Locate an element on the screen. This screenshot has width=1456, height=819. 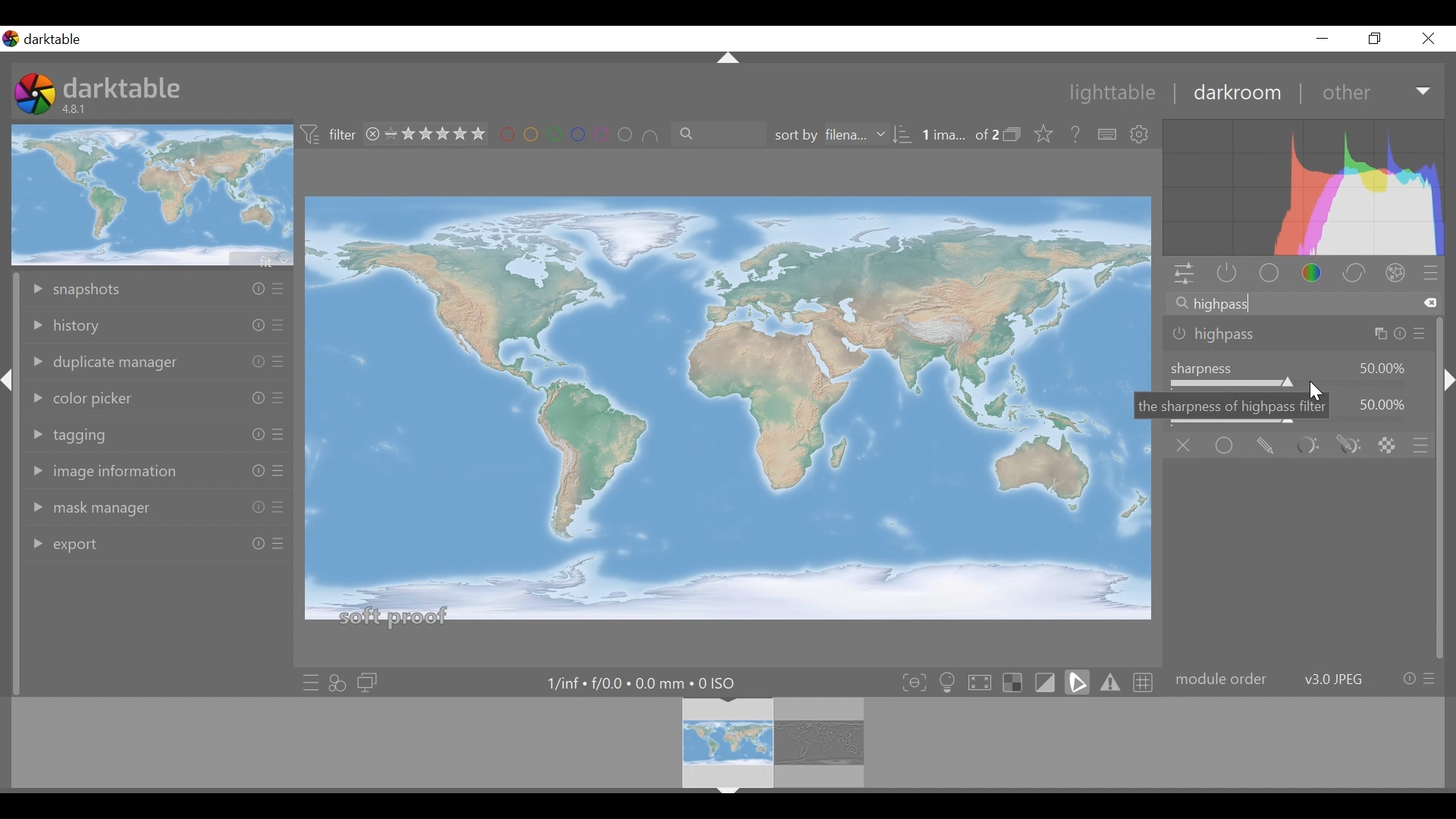
expand/collapse is located at coordinates (9, 382).